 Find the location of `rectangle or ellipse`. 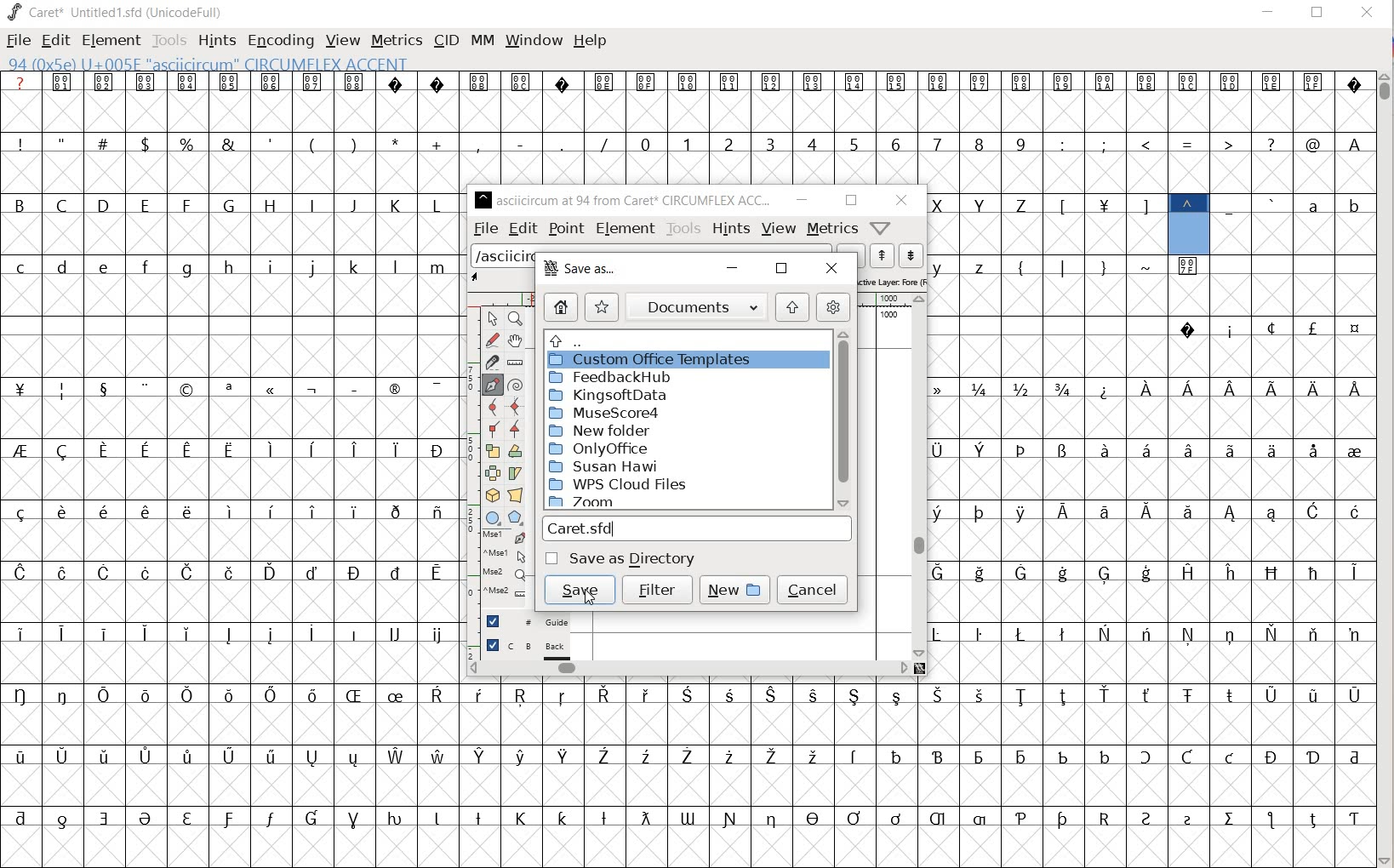

rectangle or ellipse is located at coordinates (494, 517).